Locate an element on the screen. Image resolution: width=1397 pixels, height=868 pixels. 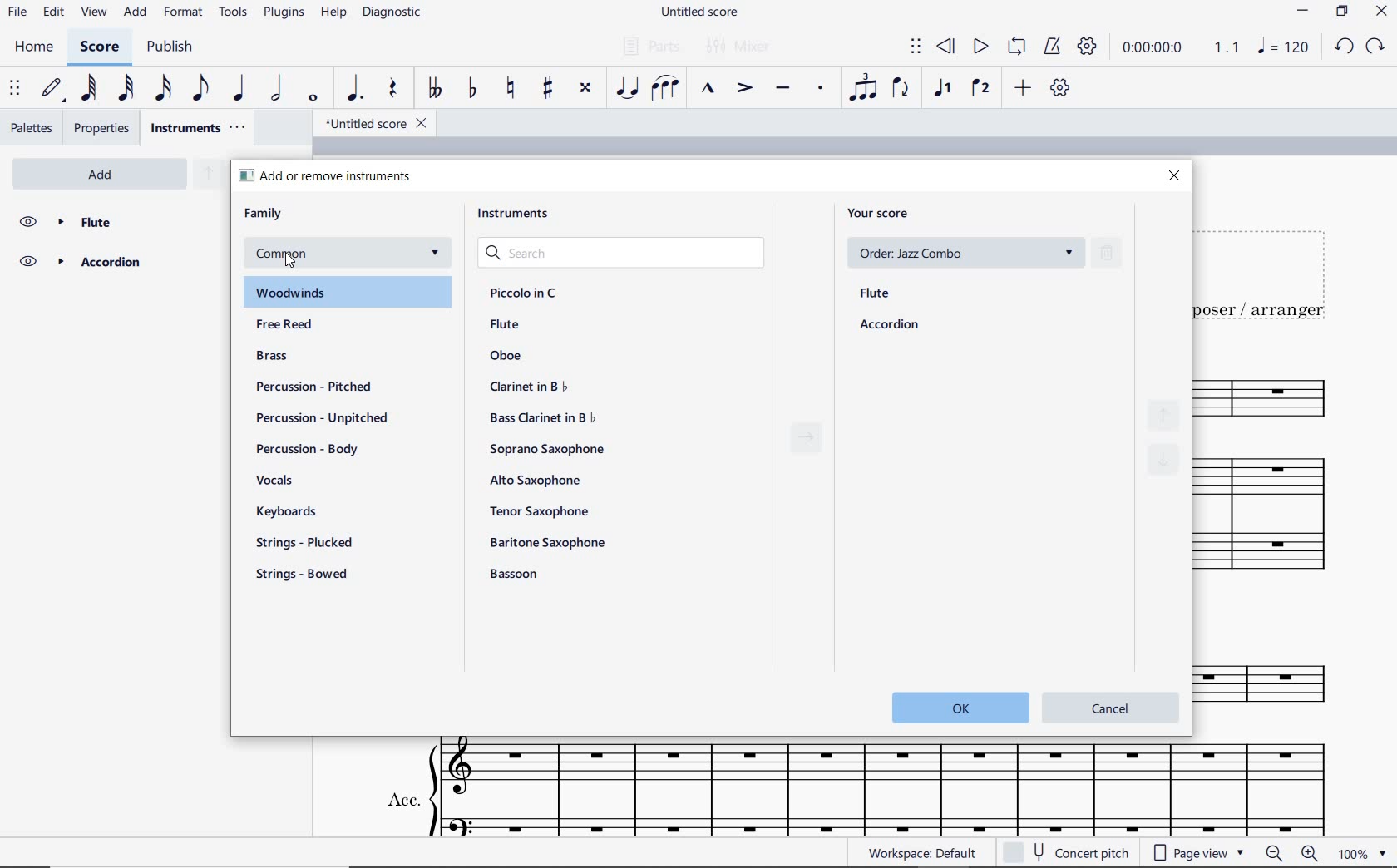
flute is located at coordinates (876, 294).